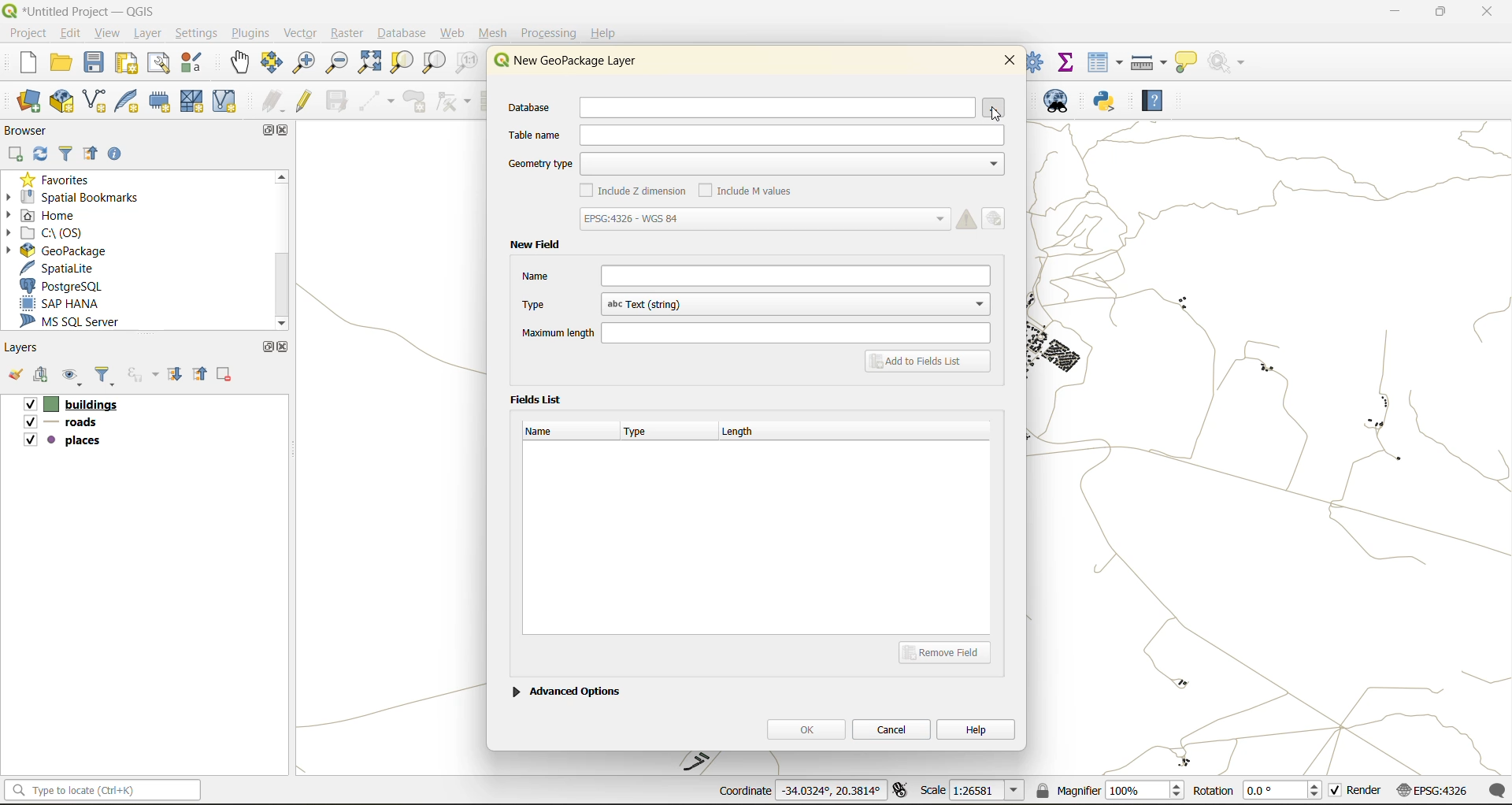 Image resolution: width=1512 pixels, height=805 pixels. What do you see at coordinates (194, 63) in the screenshot?
I see `style manager` at bounding box center [194, 63].